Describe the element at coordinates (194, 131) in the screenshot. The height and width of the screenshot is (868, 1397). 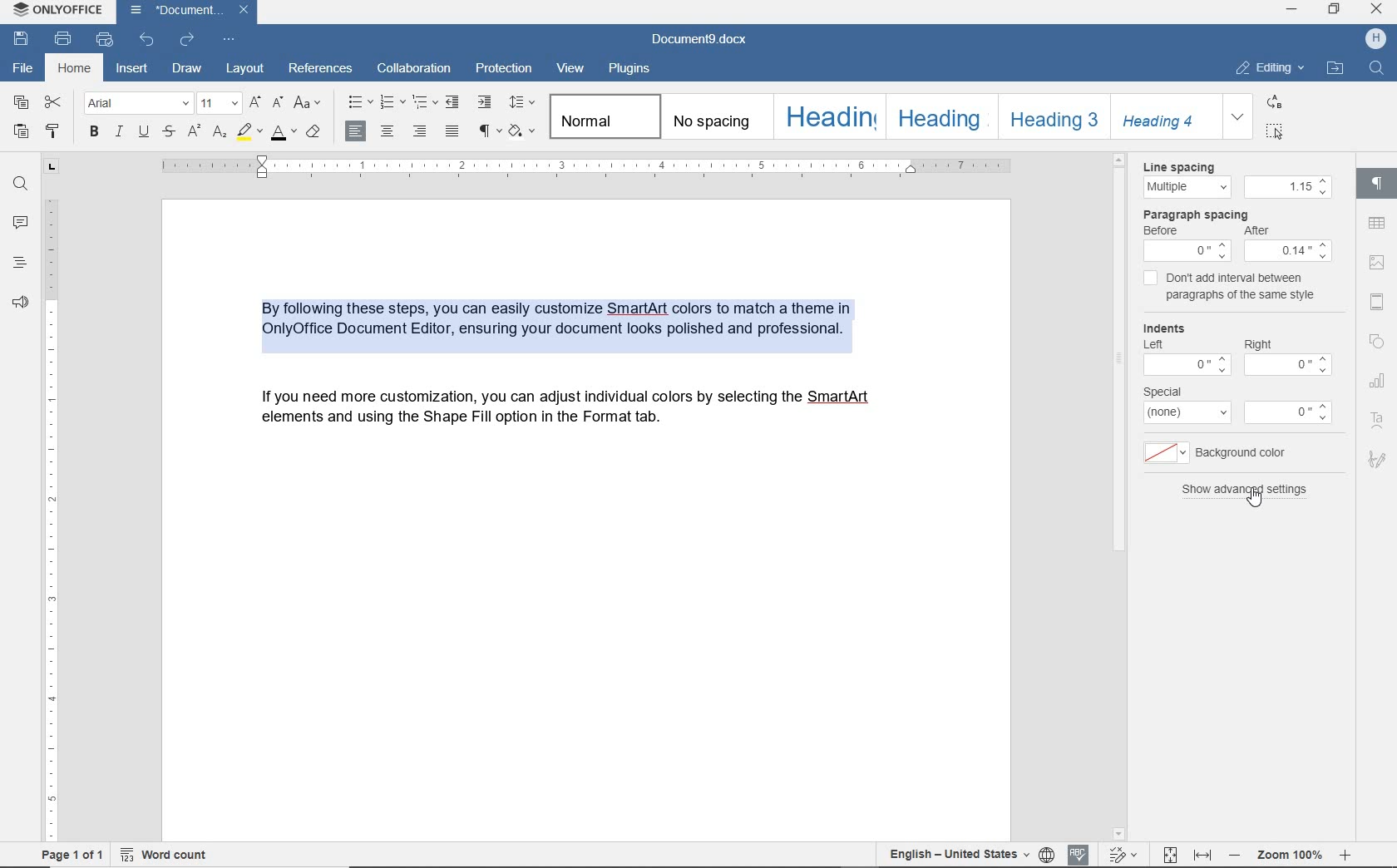
I see `superscript` at that location.